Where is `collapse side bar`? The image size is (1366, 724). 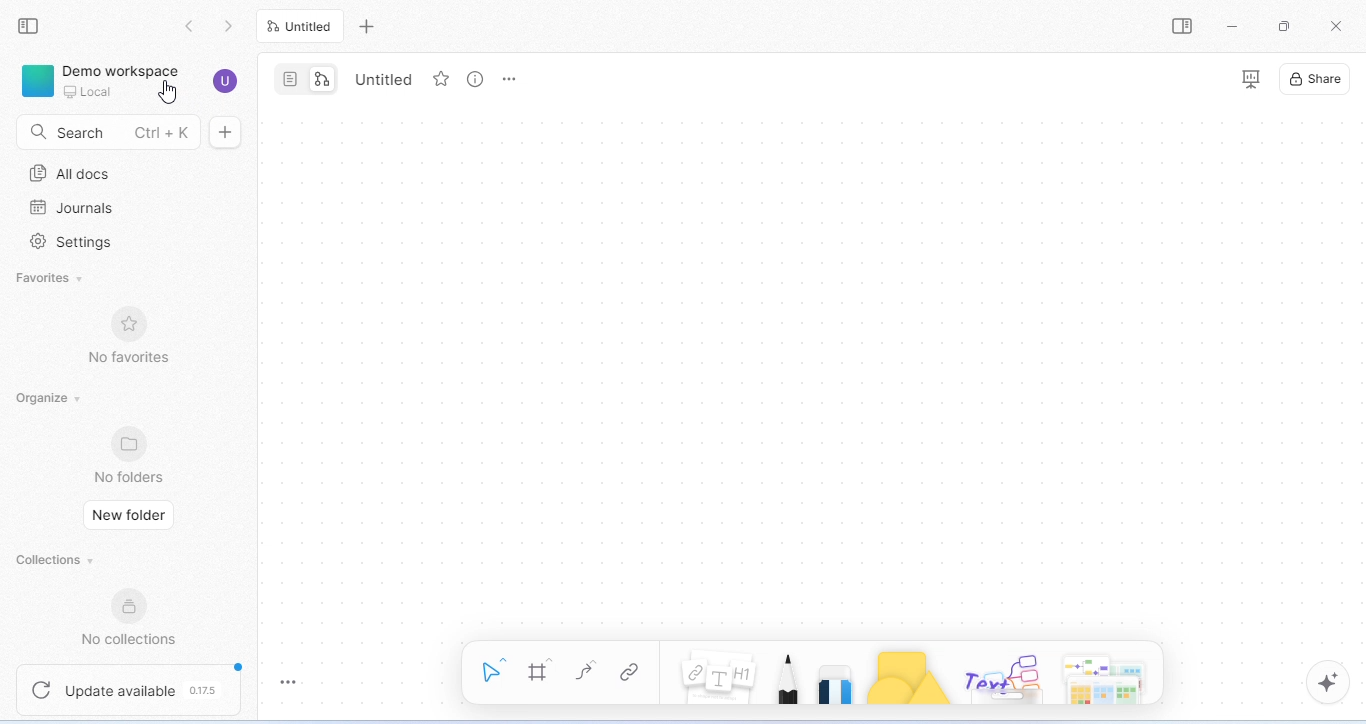 collapse side bar is located at coordinates (34, 27).